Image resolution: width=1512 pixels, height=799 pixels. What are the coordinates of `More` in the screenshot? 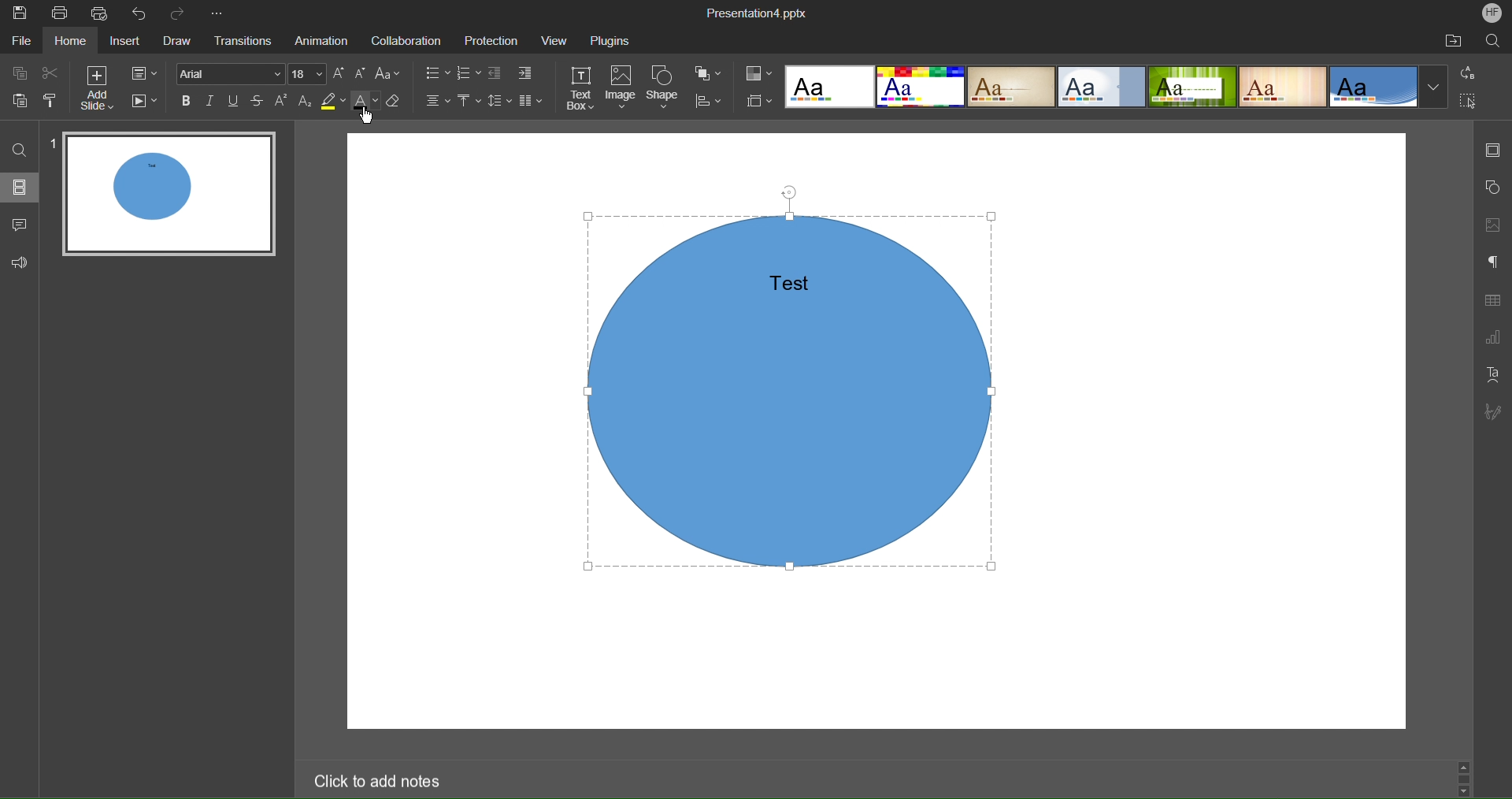 It's located at (223, 14).